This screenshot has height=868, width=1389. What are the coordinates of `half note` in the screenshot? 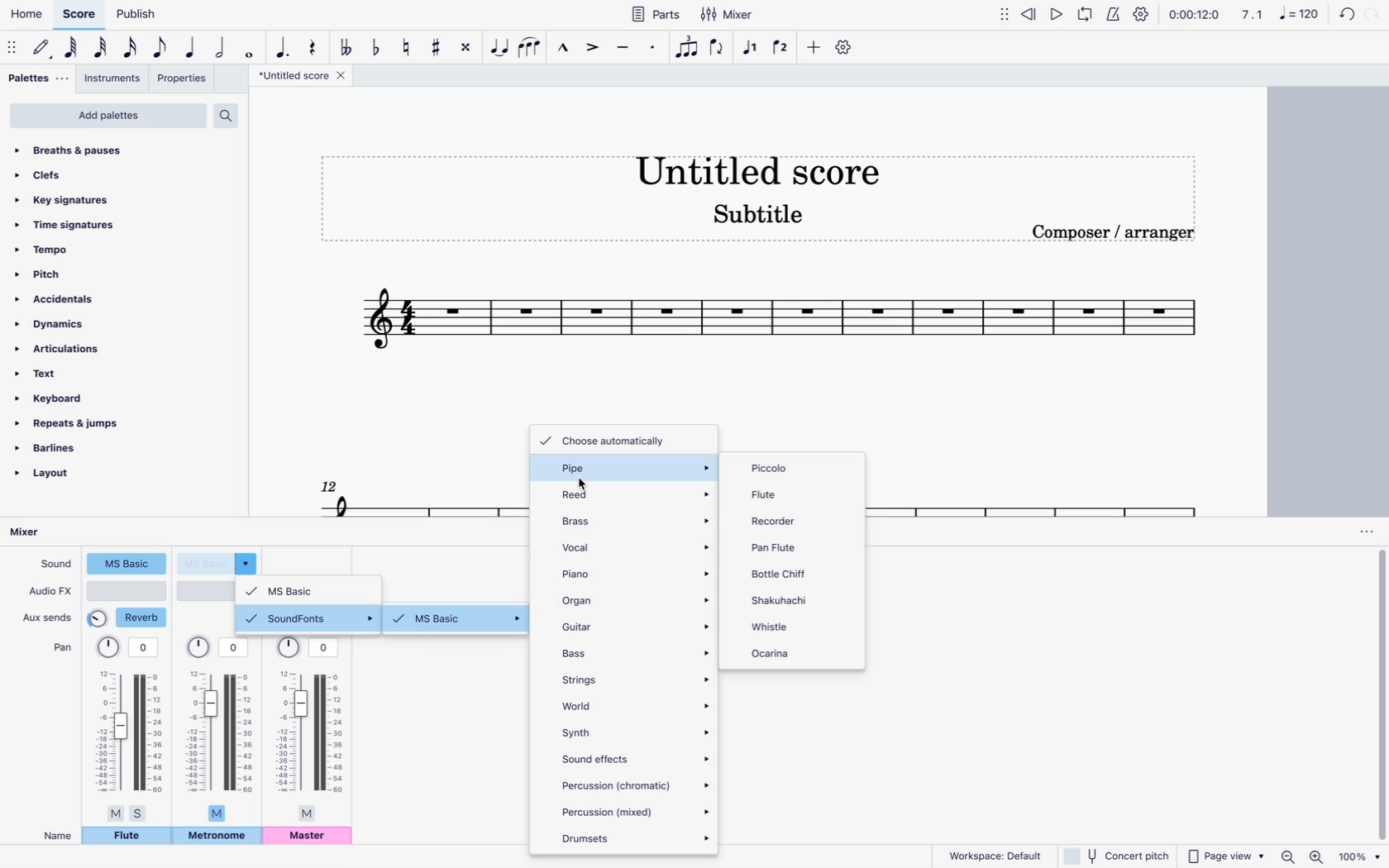 It's located at (223, 48).